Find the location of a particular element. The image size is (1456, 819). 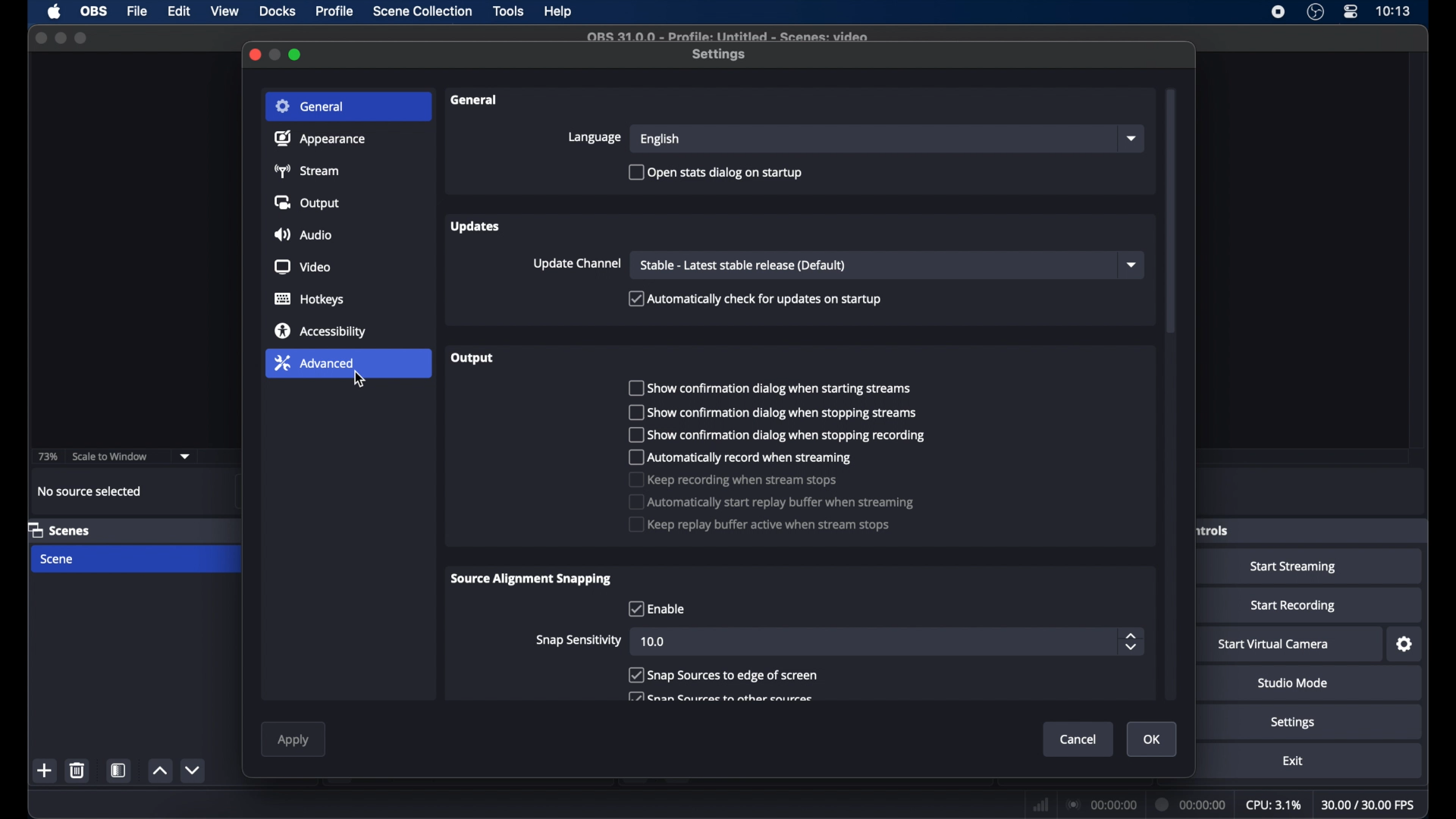

settings is located at coordinates (1294, 723).